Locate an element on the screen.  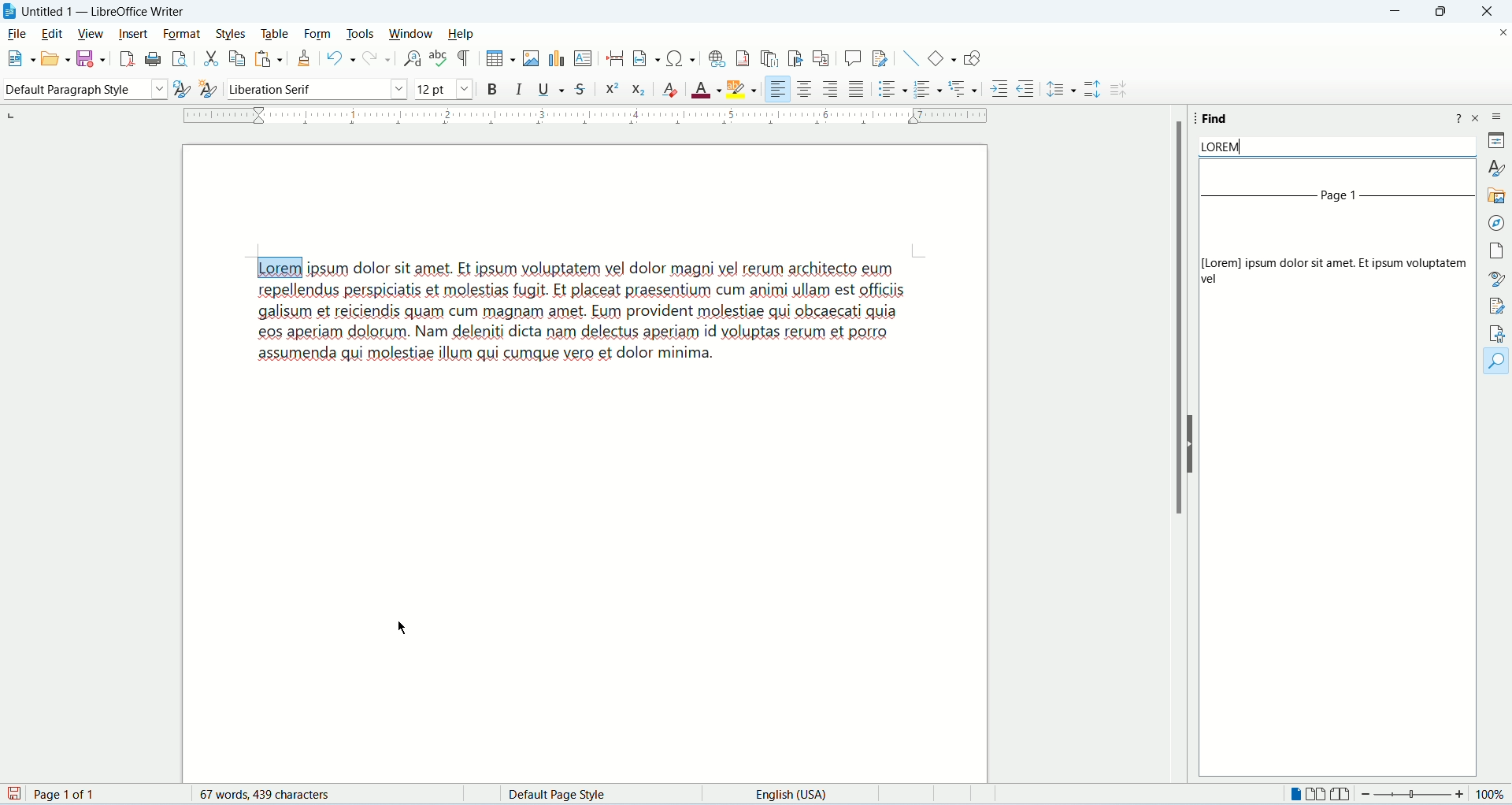
update selected style is located at coordinates (176, 88).